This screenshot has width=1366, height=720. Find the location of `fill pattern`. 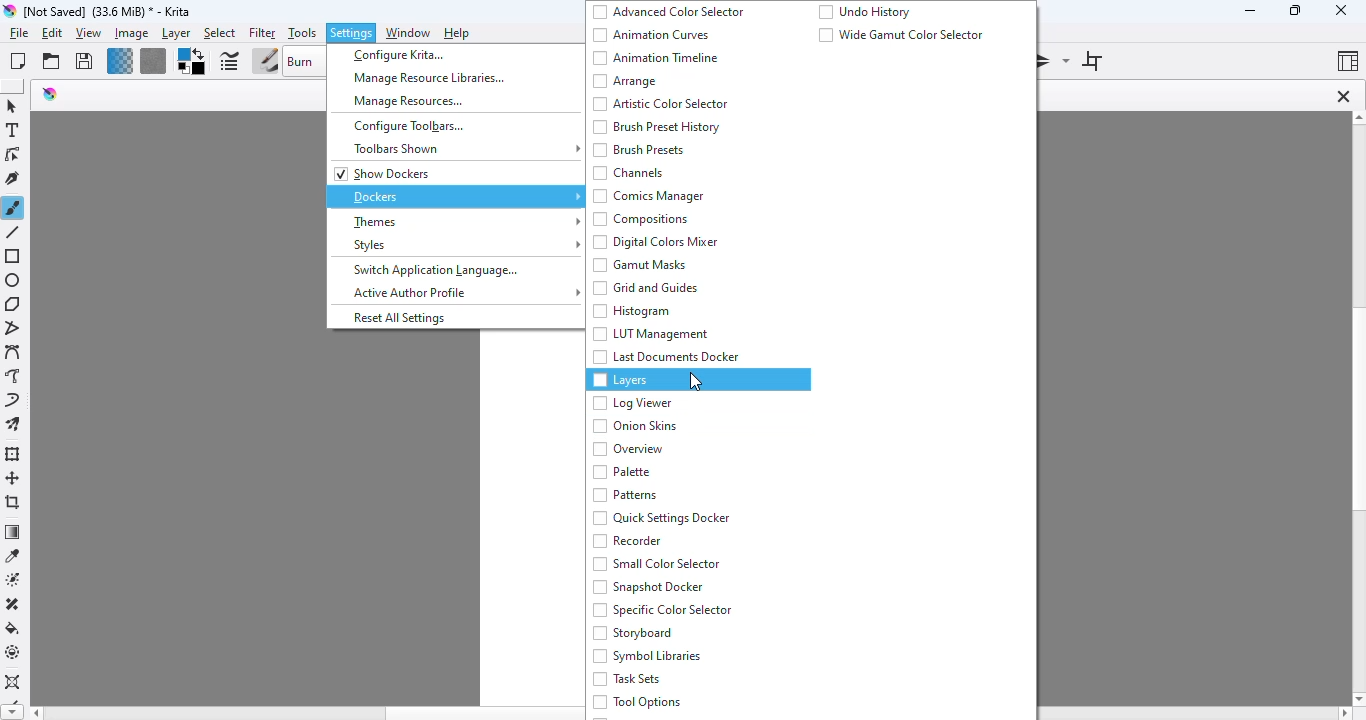

fill pattern is located at coordinates (153, 61).